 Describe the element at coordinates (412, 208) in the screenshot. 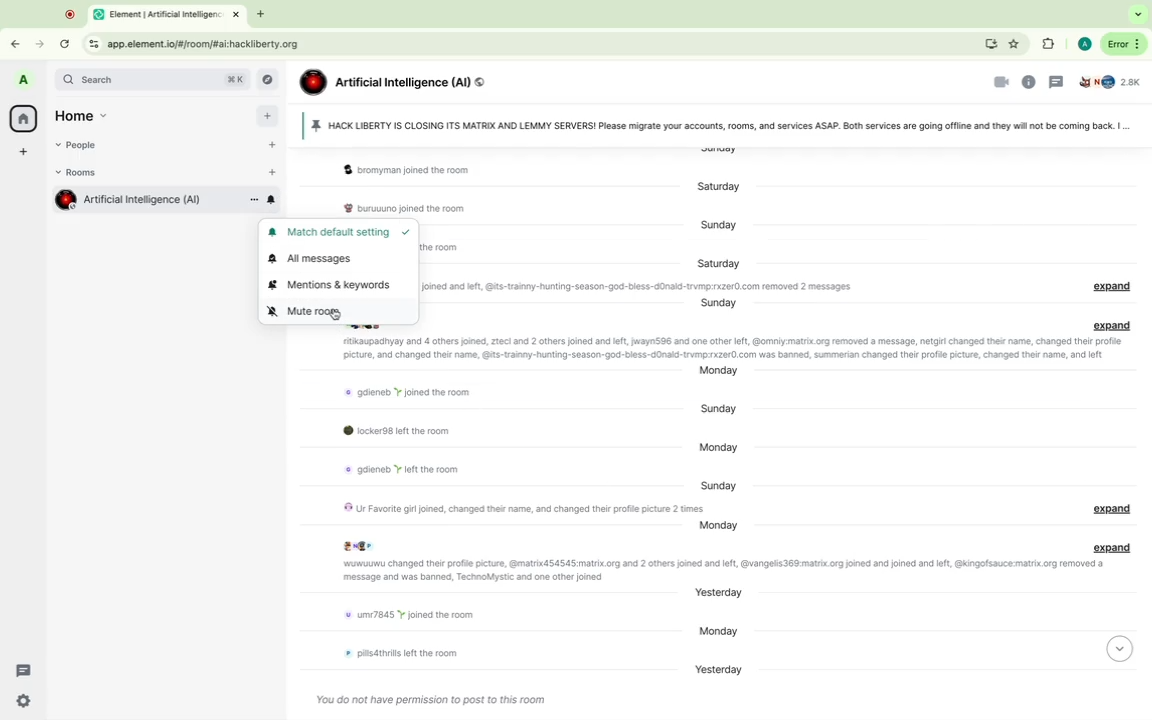

I see `Message` at that location.